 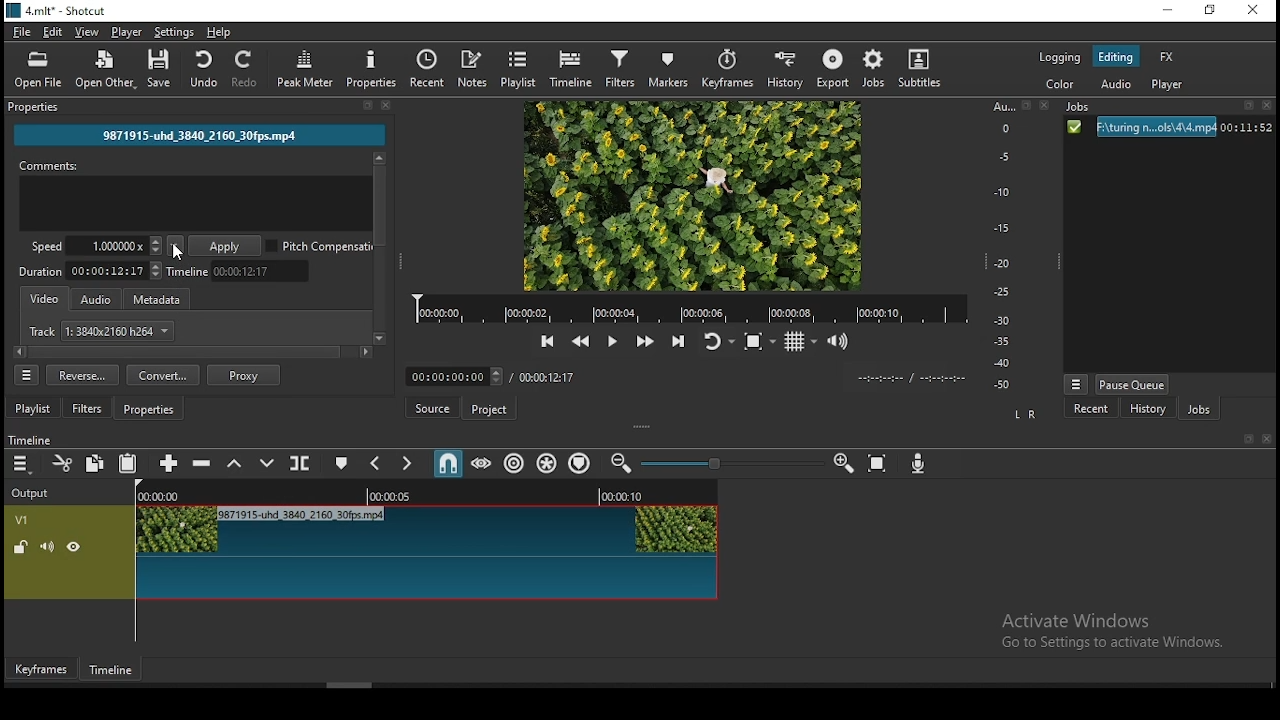 What do you see at coordinates (786, 69) in the screenshot?
I see `history` at bounding box center [786, 69].